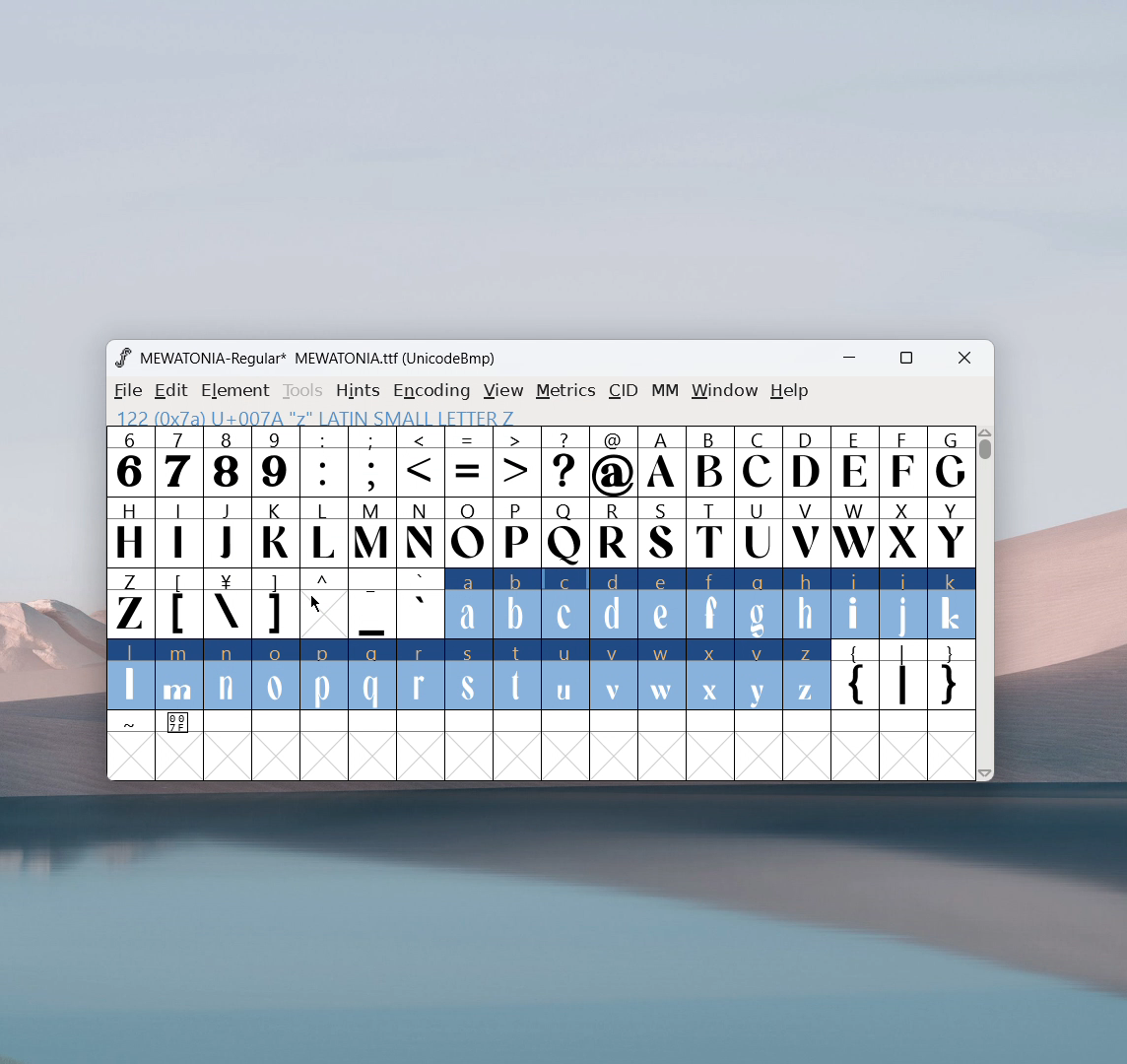  What do you see at coordinates (805, 460) in the screenshot?
I see `D` at bounding box center [805, 460].